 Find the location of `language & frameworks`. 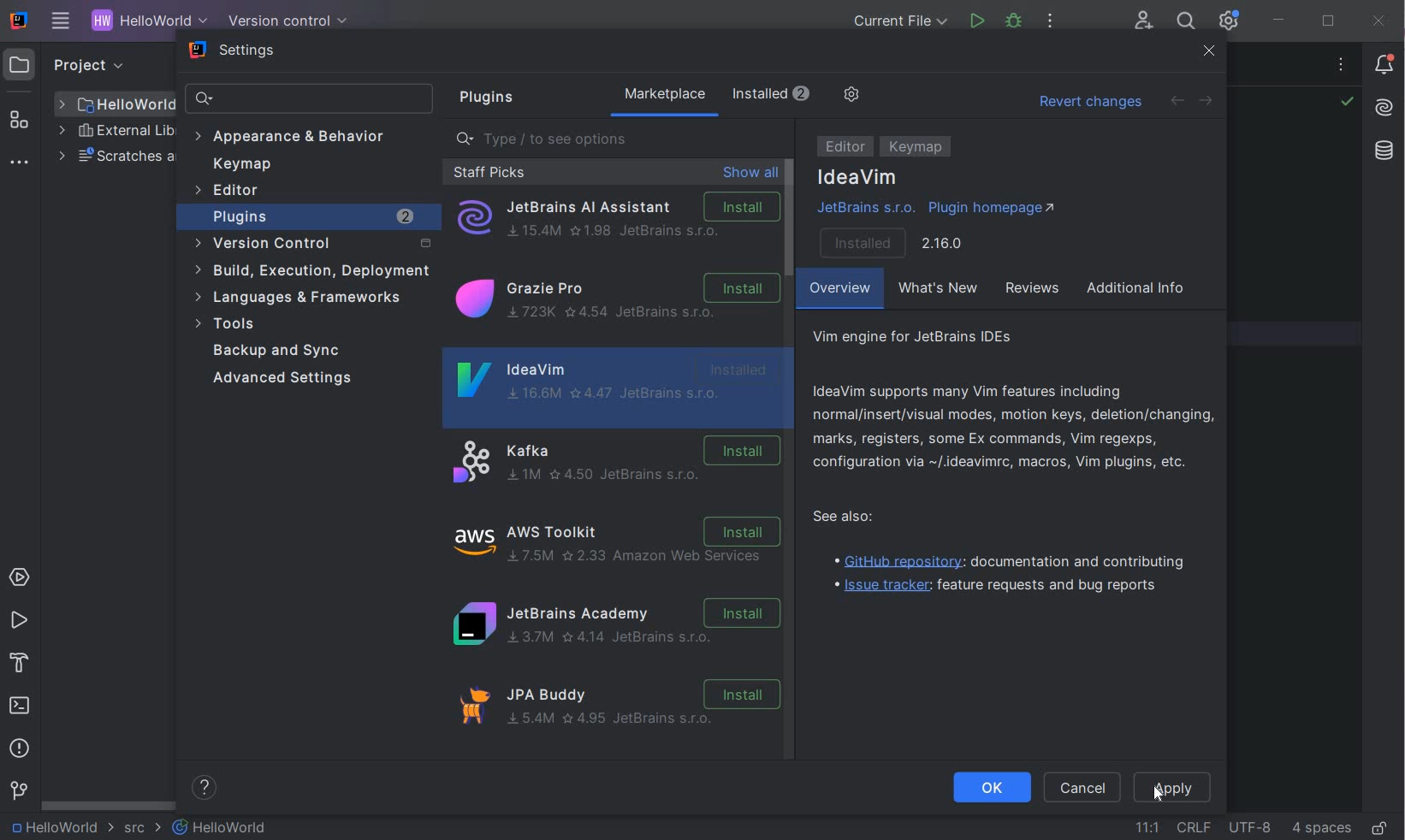

language & frameworks is located at coordinates (300, 300).